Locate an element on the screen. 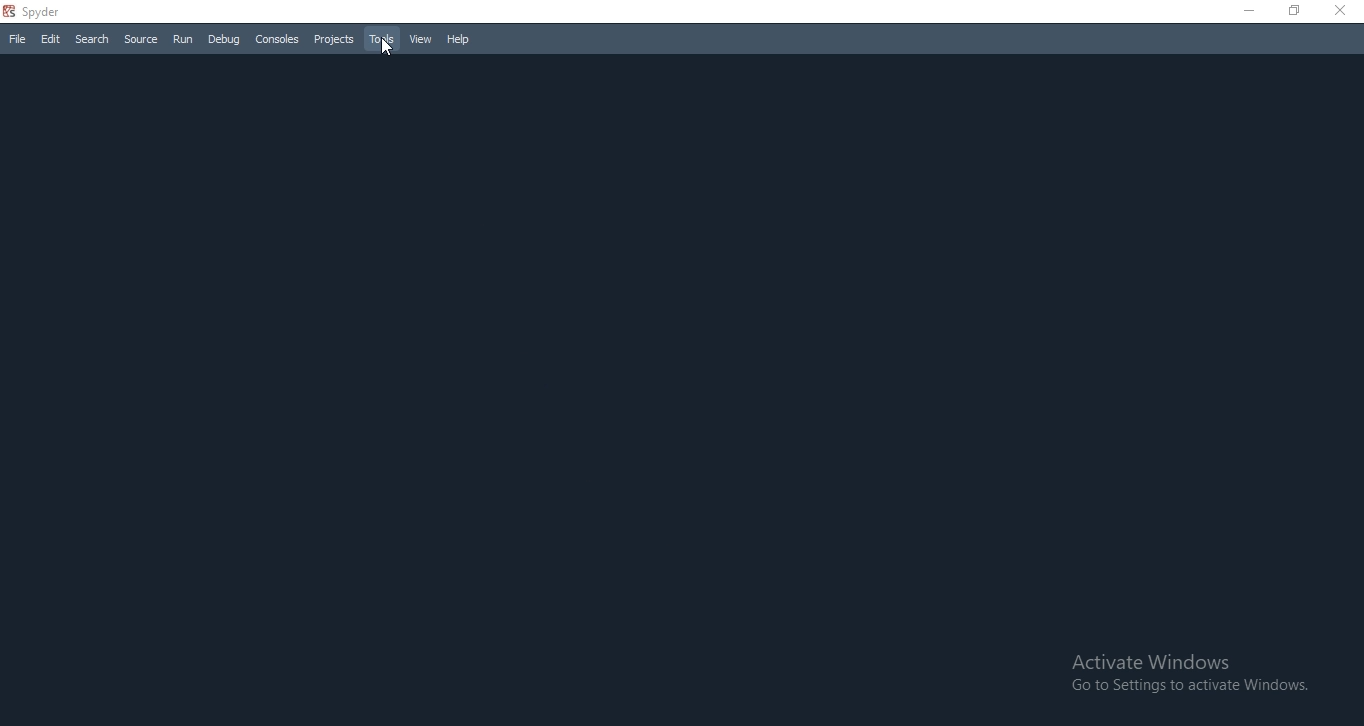  View is located at coordinates (420, 41).